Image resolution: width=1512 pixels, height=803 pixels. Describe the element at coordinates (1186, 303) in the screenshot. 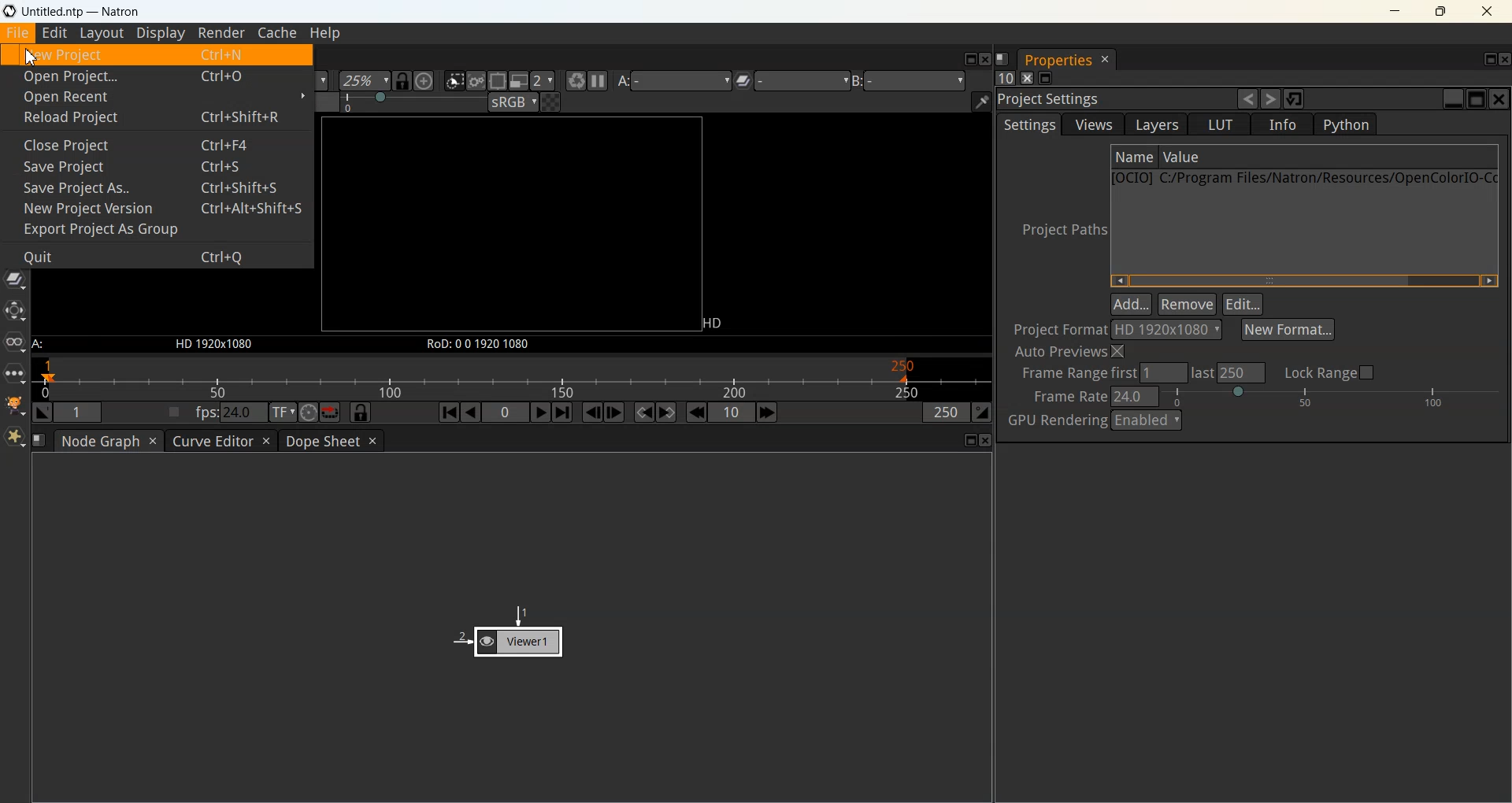

I see `Remove` at that location.